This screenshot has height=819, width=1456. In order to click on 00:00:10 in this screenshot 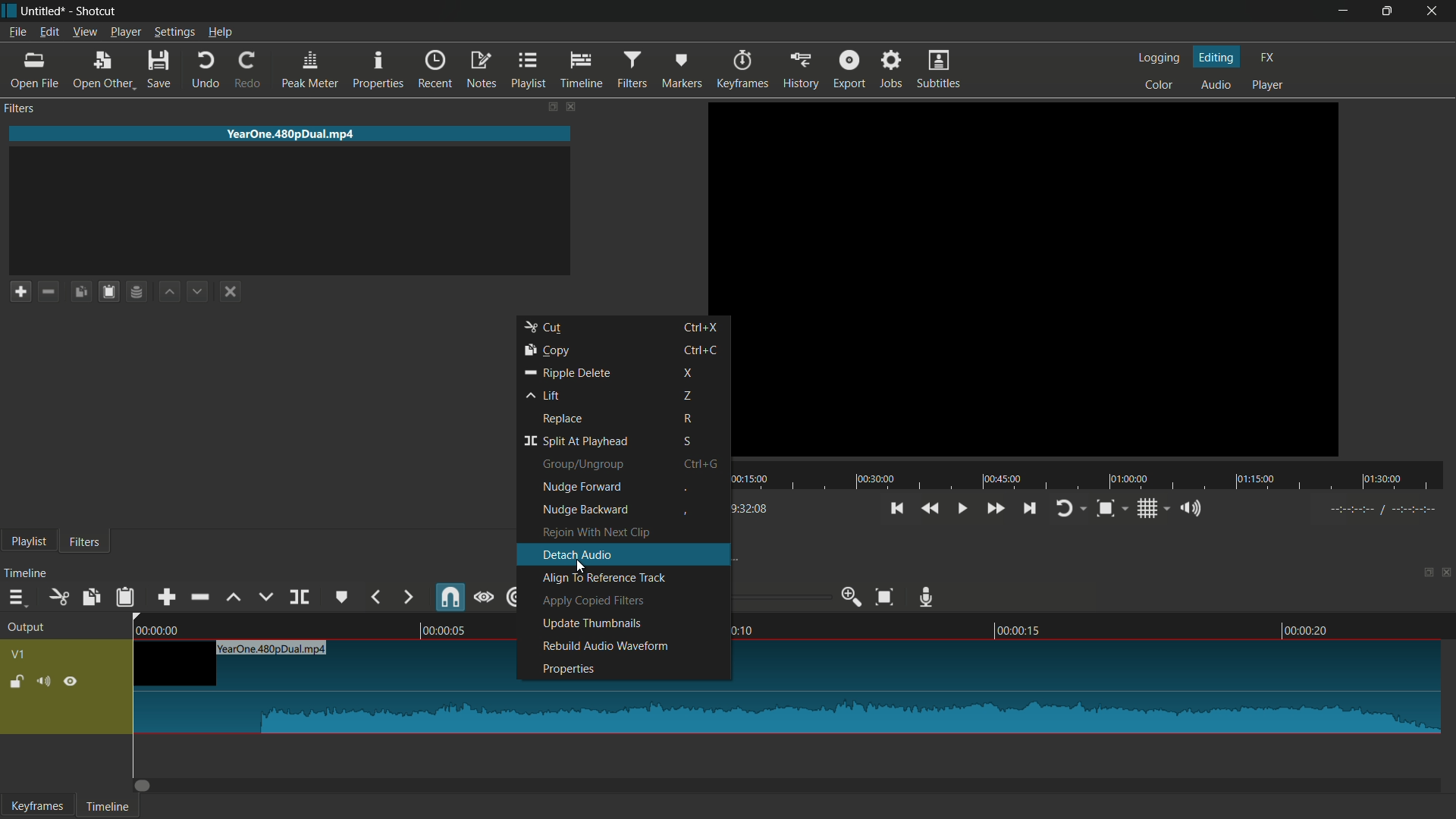, I will do `click(745, 632)`.